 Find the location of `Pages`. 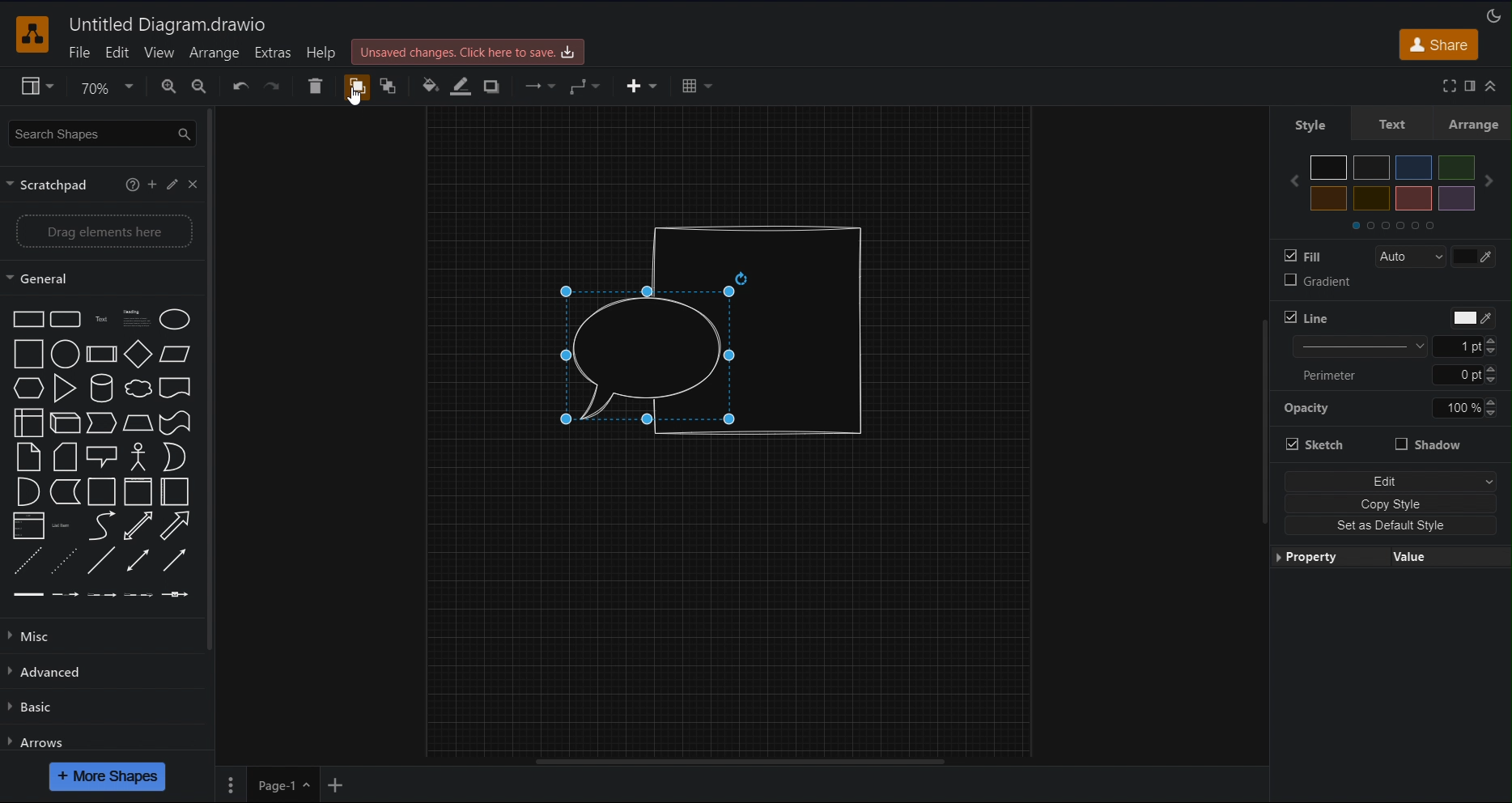

Pages is located at coordinates (231, 784).